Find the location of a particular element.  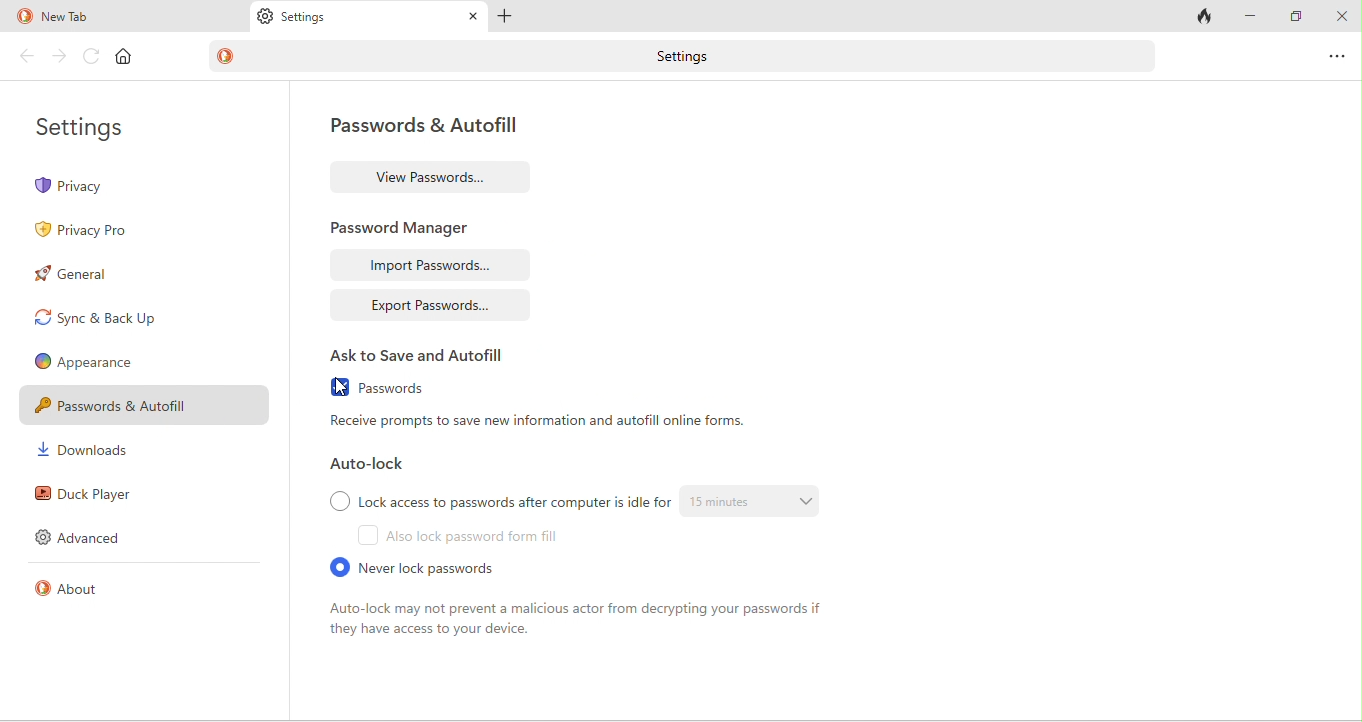

settings is located at coordinates (86, 134).